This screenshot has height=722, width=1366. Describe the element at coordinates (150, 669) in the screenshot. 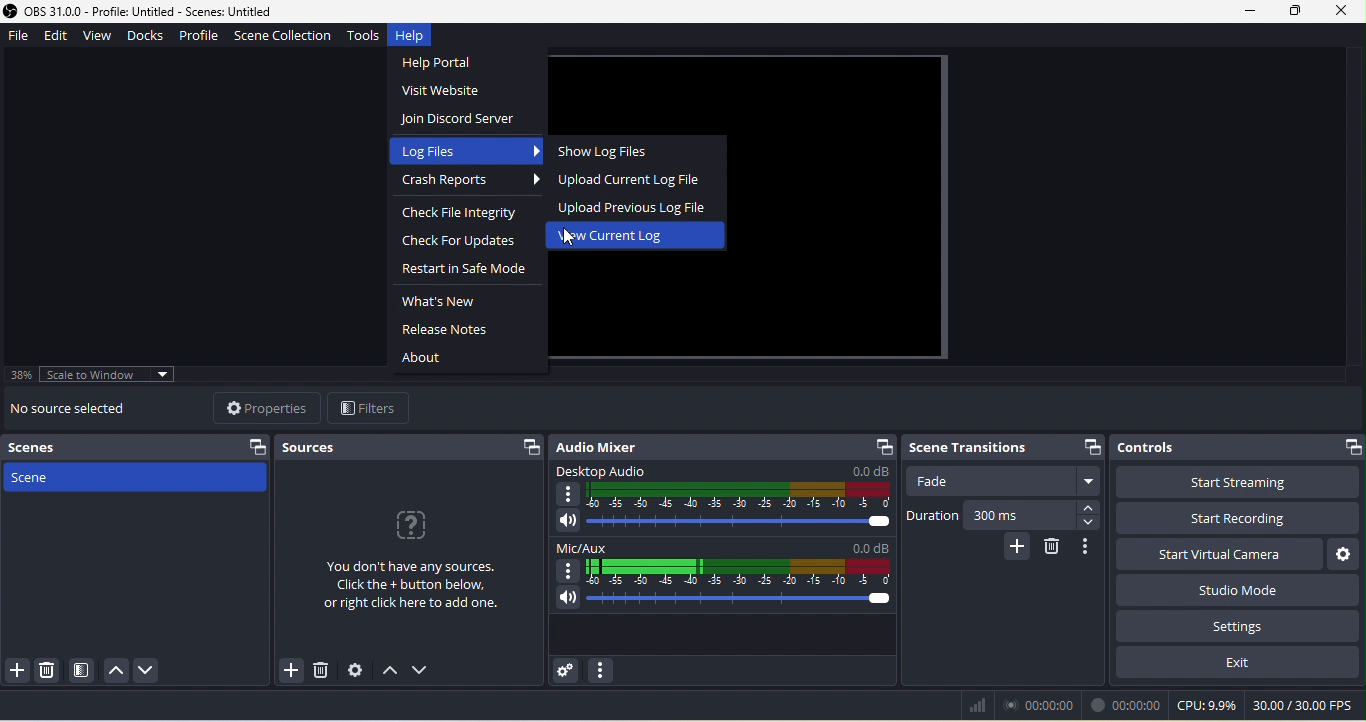

I see `down` at that location.